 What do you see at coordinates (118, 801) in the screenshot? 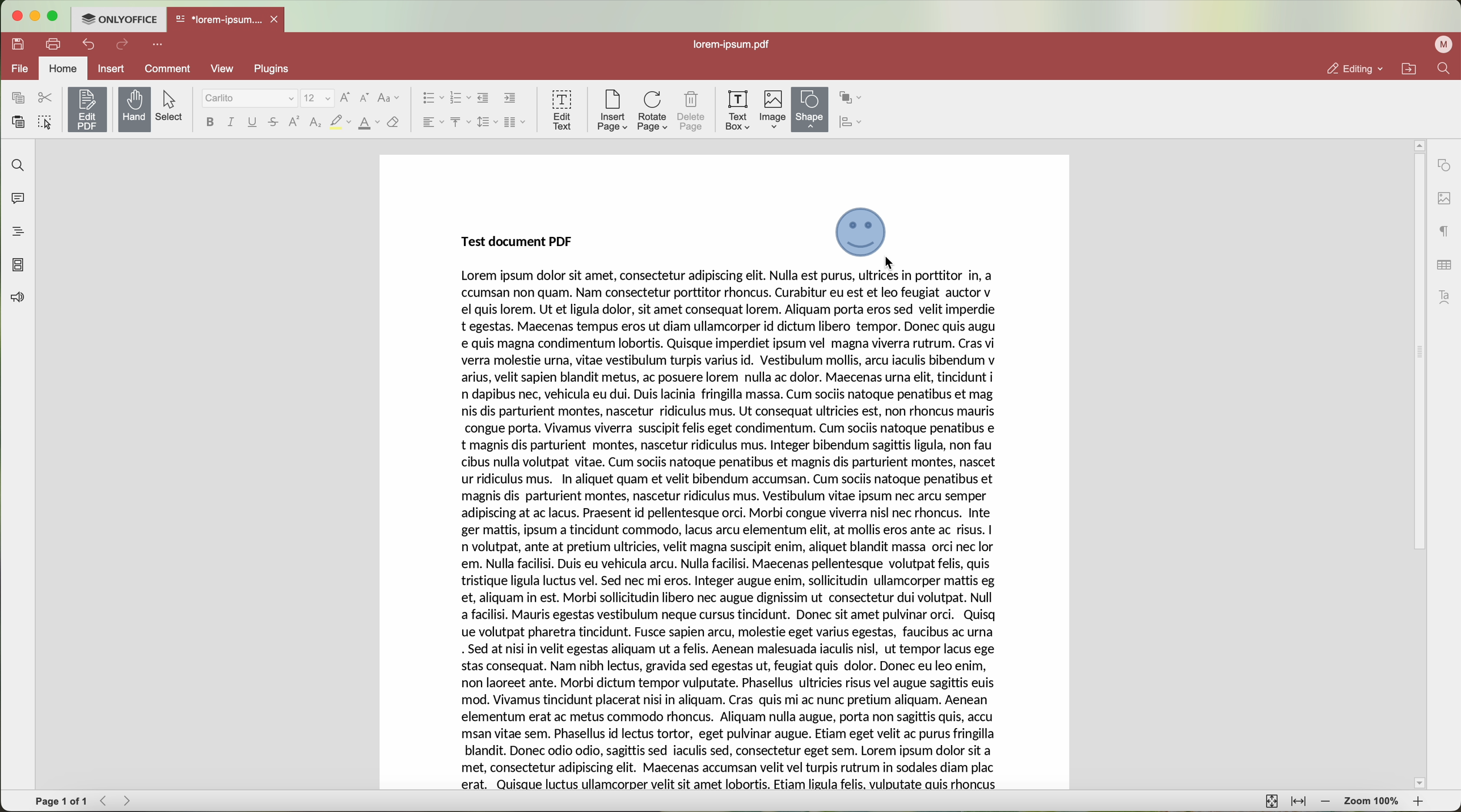
I see `navigate arrows` at bounding box center [118, 801].